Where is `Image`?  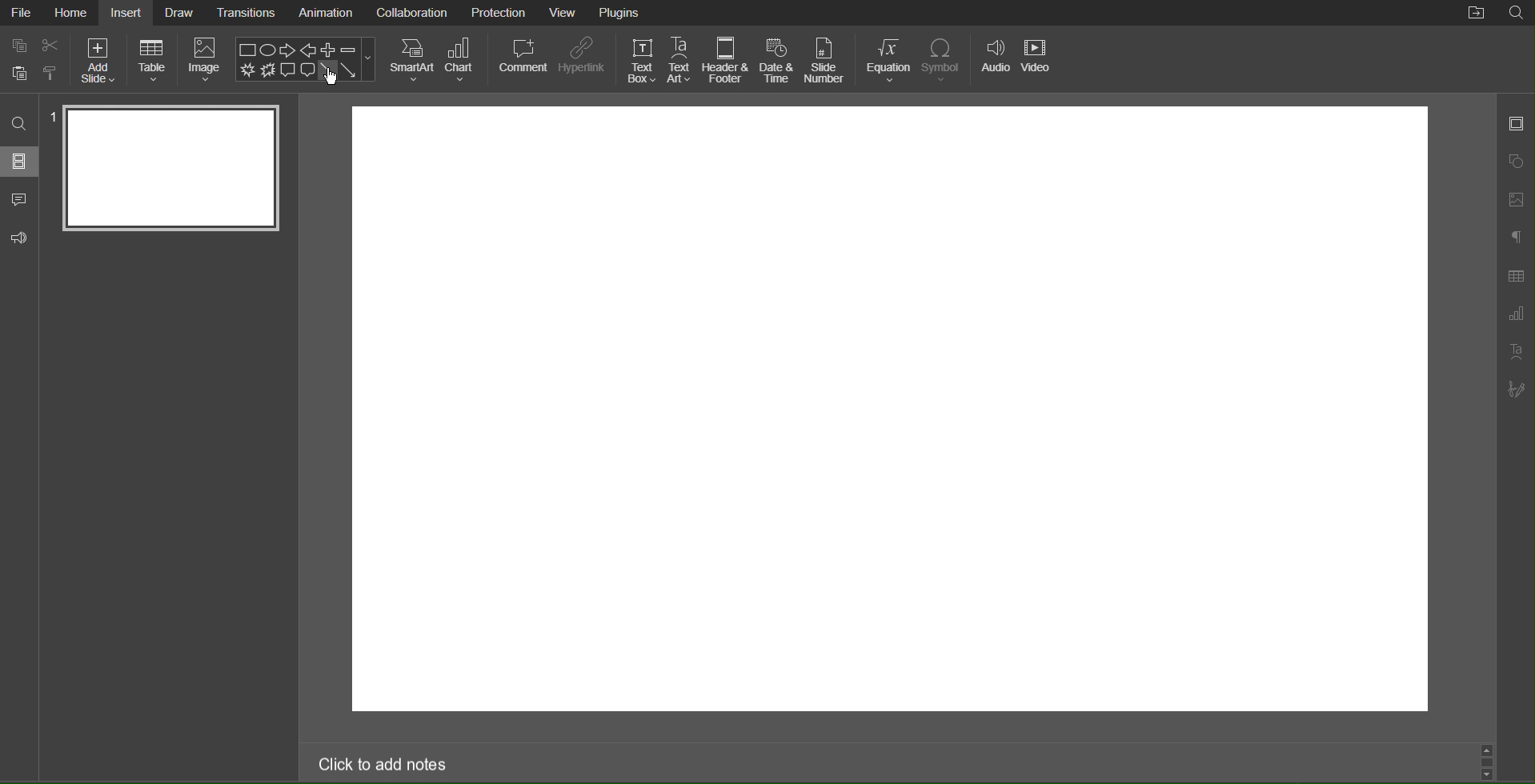
Image is located at coordinates (206, 62).